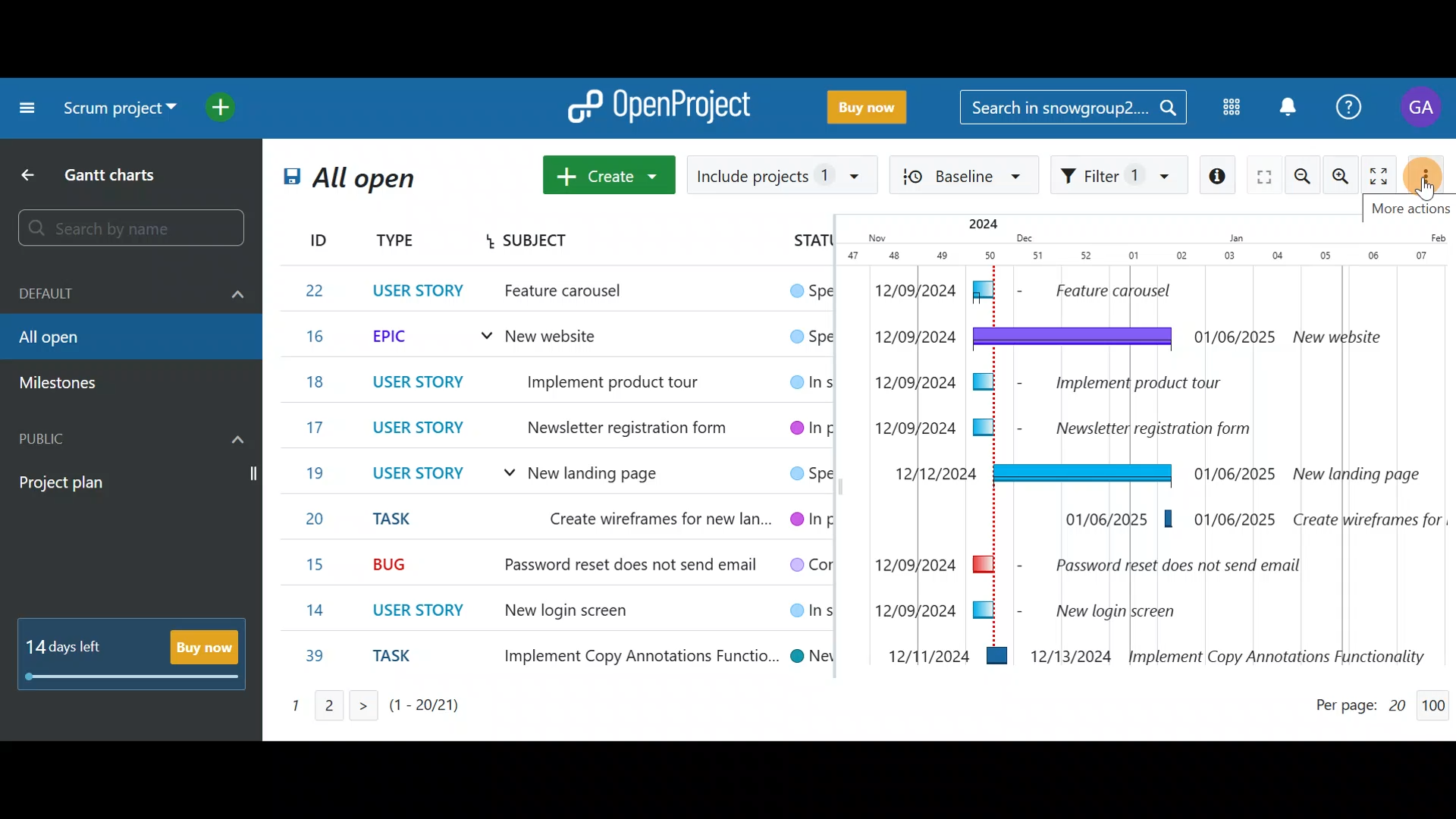  I want to click on 16, so click(319, 337).